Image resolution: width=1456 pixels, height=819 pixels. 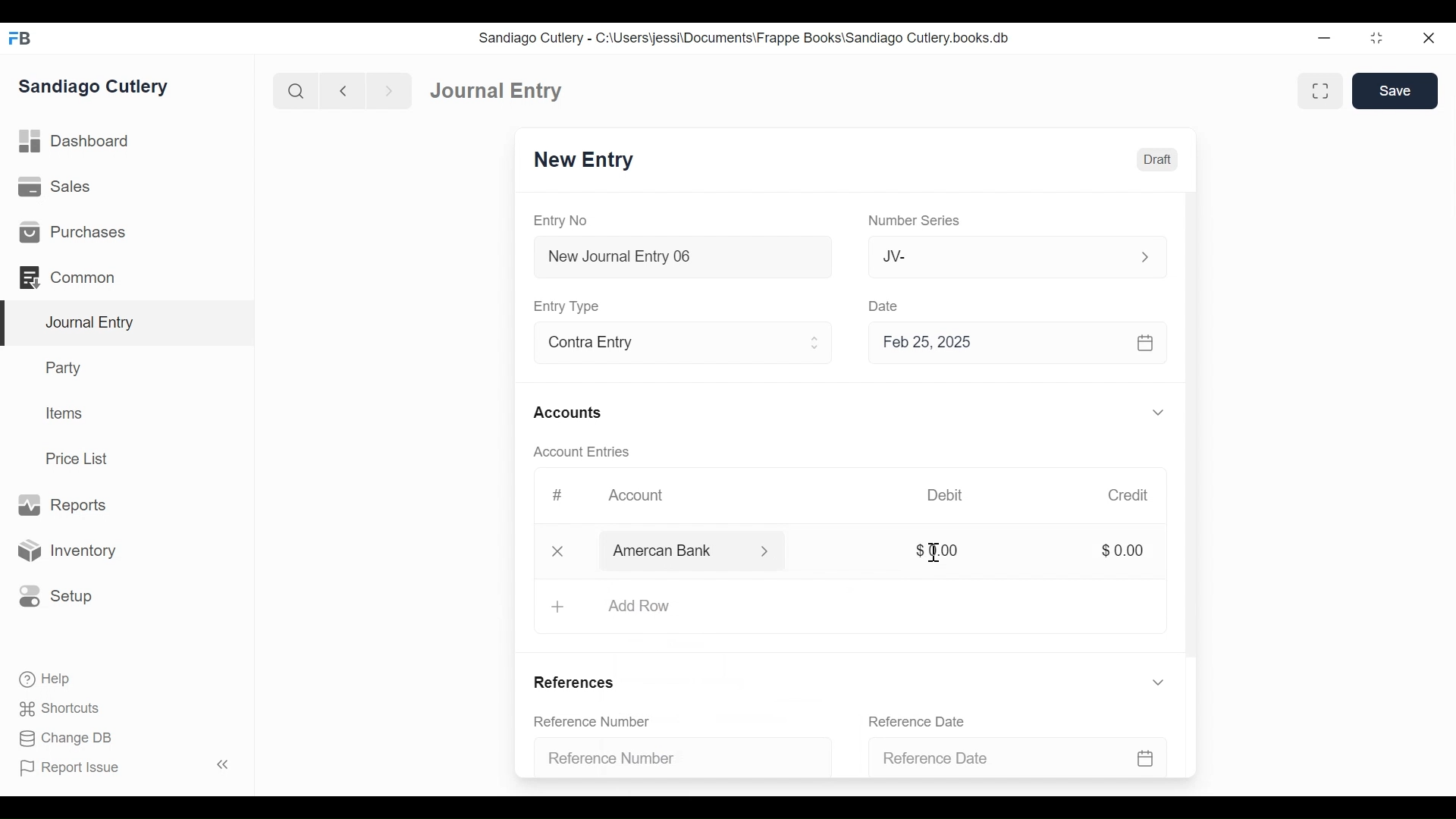 What do you see at coordinates (497, 89) in the screenshot?
I see `Journal Entry` at bounding box center [497, 89].